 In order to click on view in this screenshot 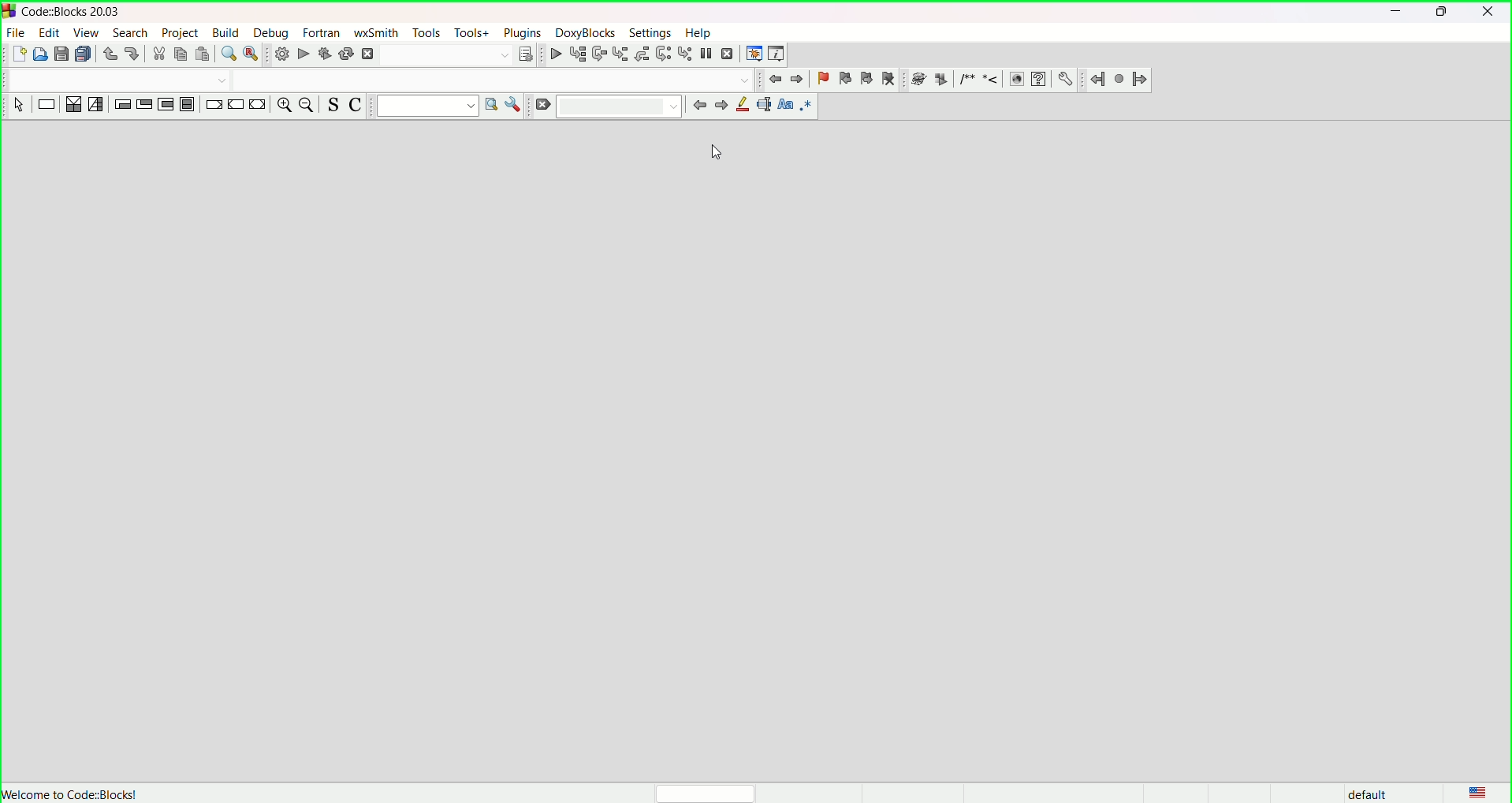, I will do `click(84, 33)`.